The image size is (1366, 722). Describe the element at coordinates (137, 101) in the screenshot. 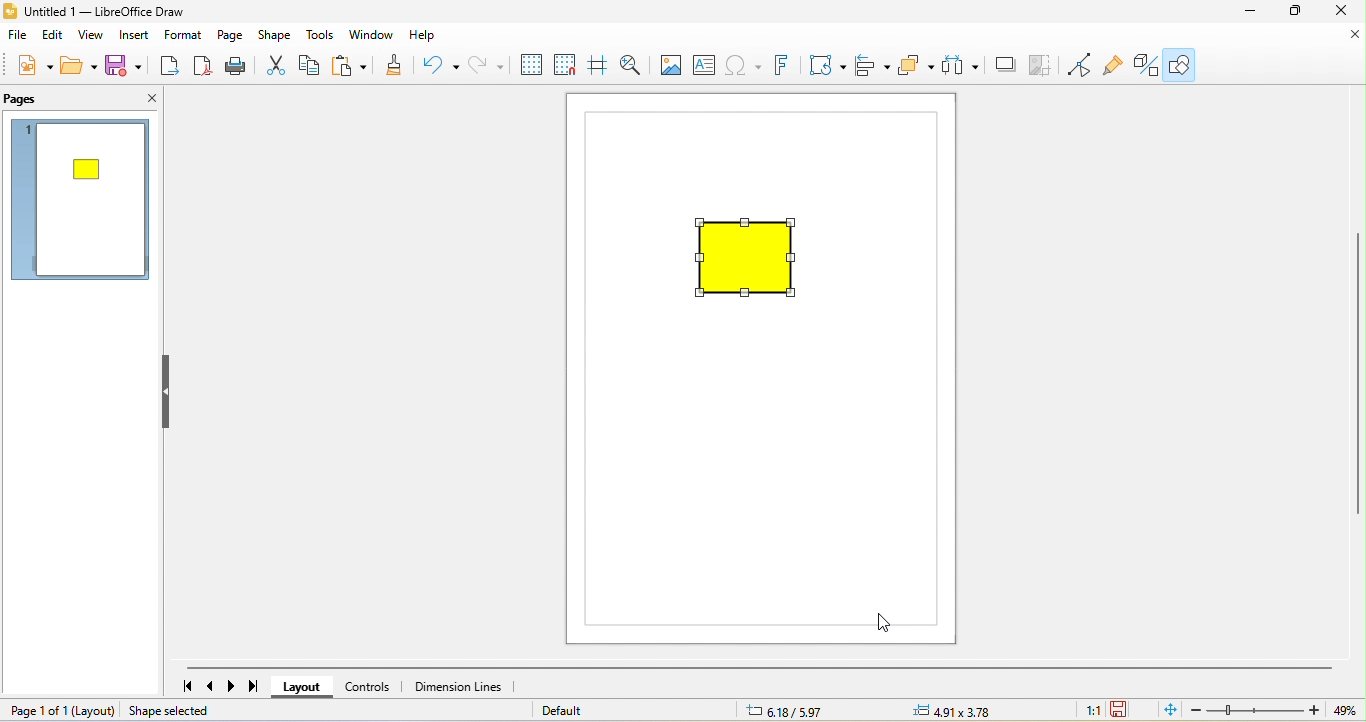

I see `close` at that location.